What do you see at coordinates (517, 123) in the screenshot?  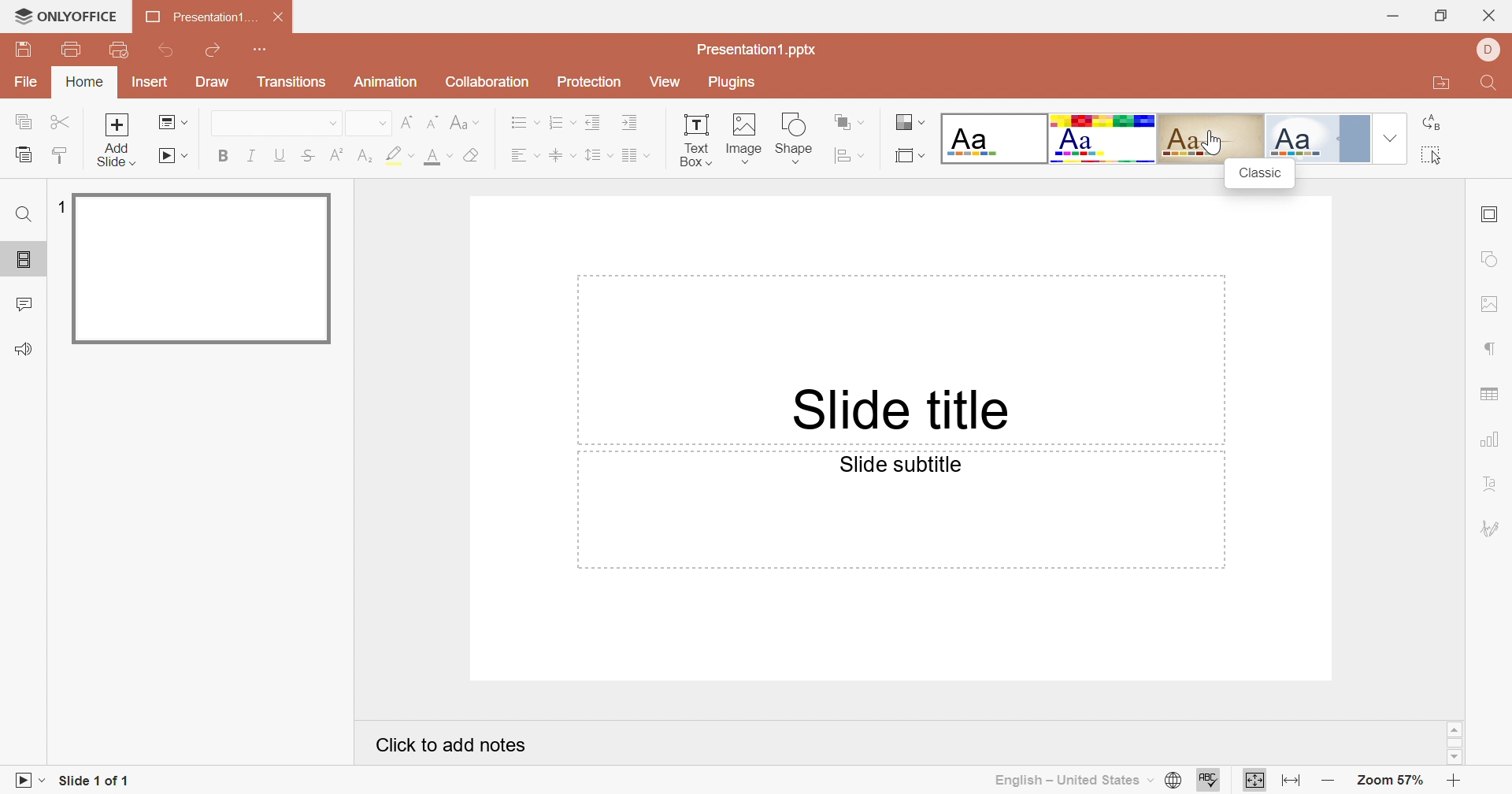 I see `Bullets` at bounding box center [517, 123].